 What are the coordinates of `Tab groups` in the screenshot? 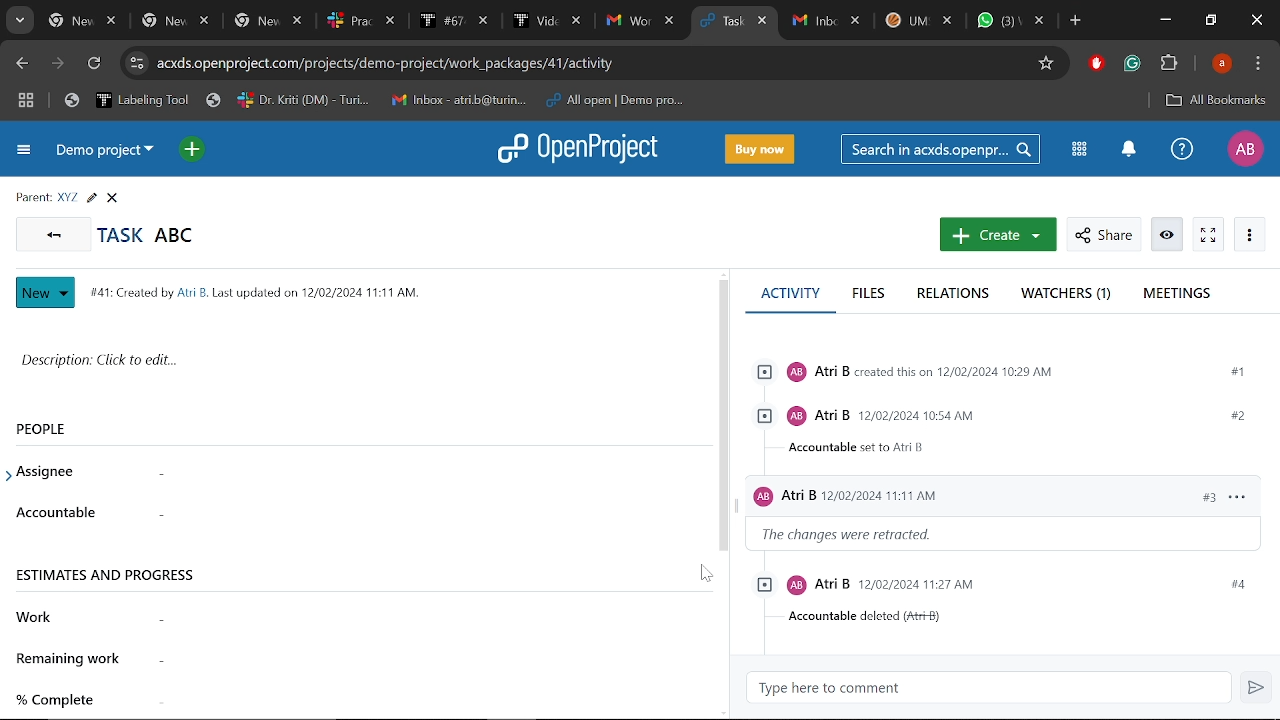 It's located at (26, 103).